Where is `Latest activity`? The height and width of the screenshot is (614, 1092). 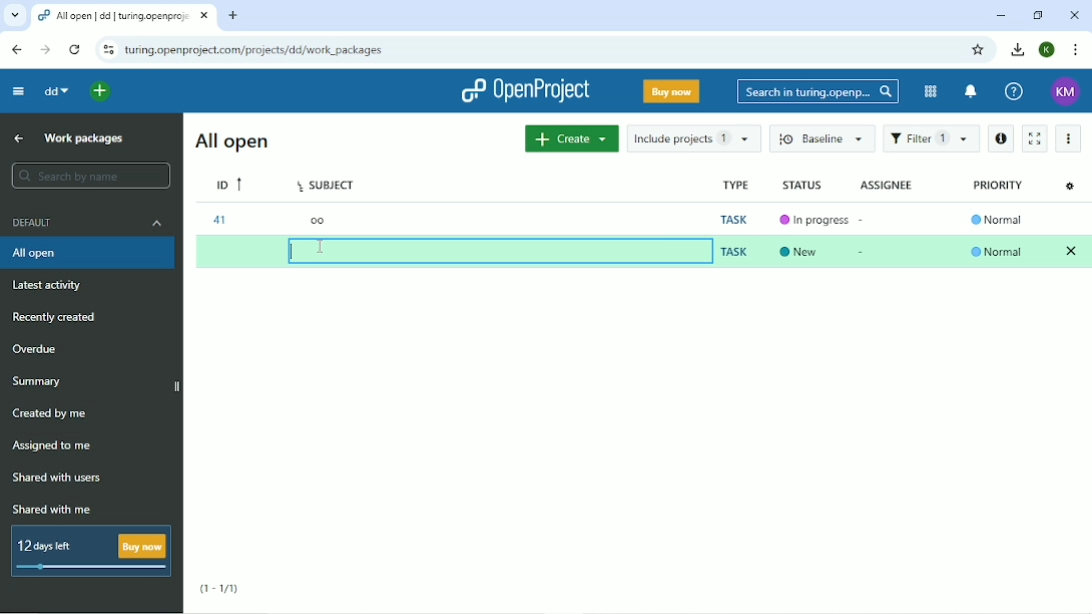
Latest activity is located at coordinates (53, 286).